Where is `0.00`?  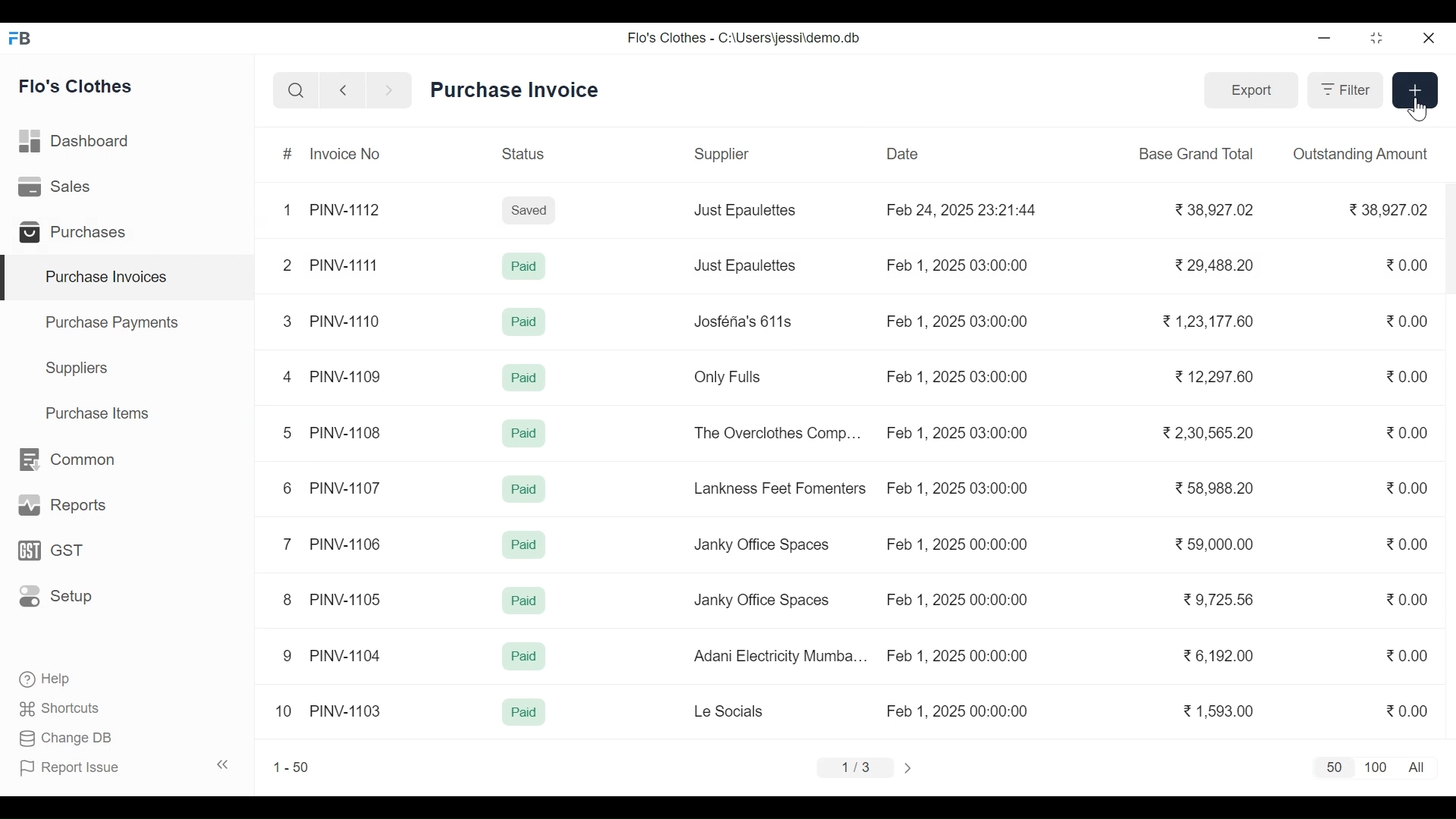 0.00 is located at coordinates (1407, 543).